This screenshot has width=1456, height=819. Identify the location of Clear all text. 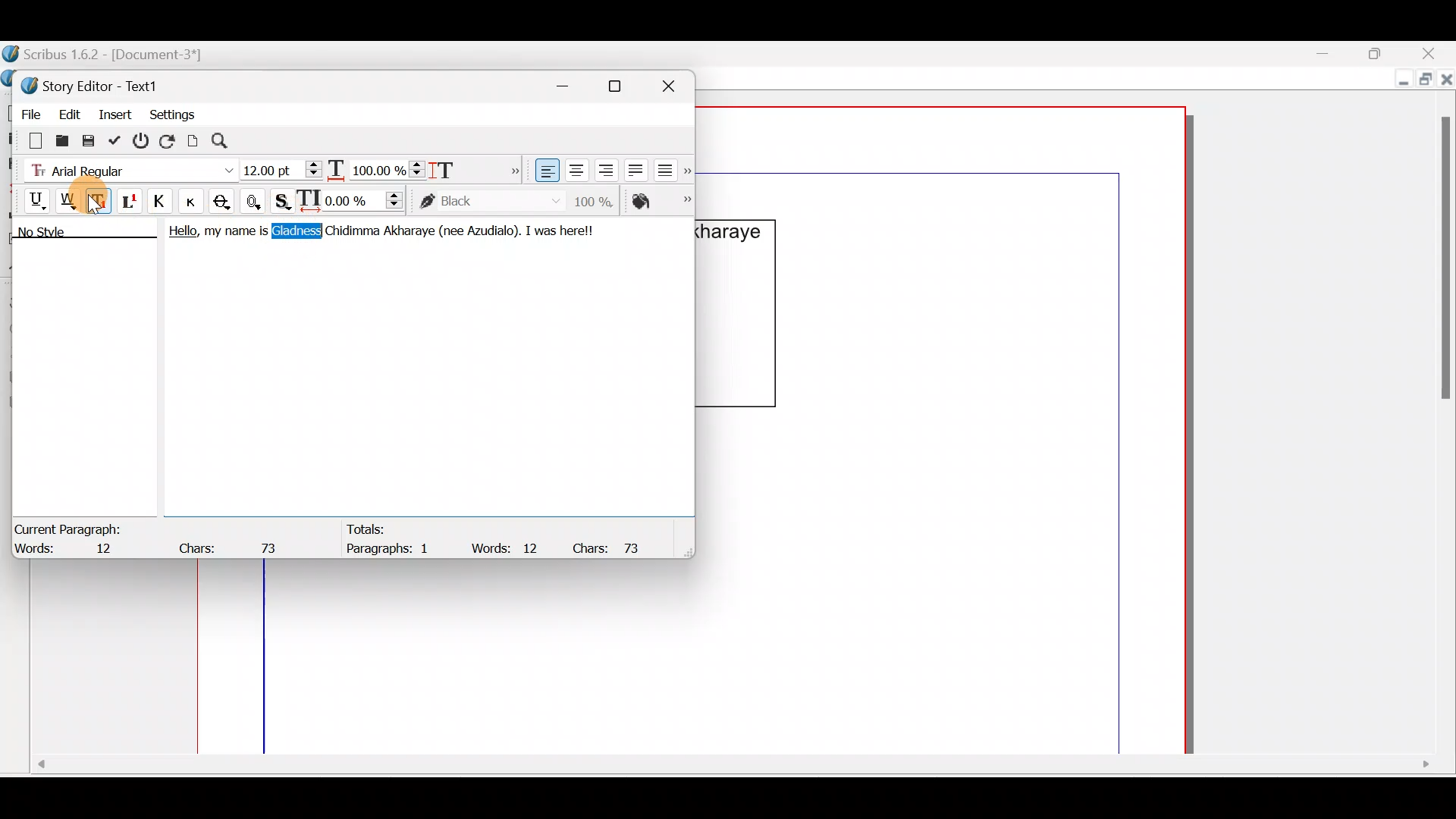
(28, 140).